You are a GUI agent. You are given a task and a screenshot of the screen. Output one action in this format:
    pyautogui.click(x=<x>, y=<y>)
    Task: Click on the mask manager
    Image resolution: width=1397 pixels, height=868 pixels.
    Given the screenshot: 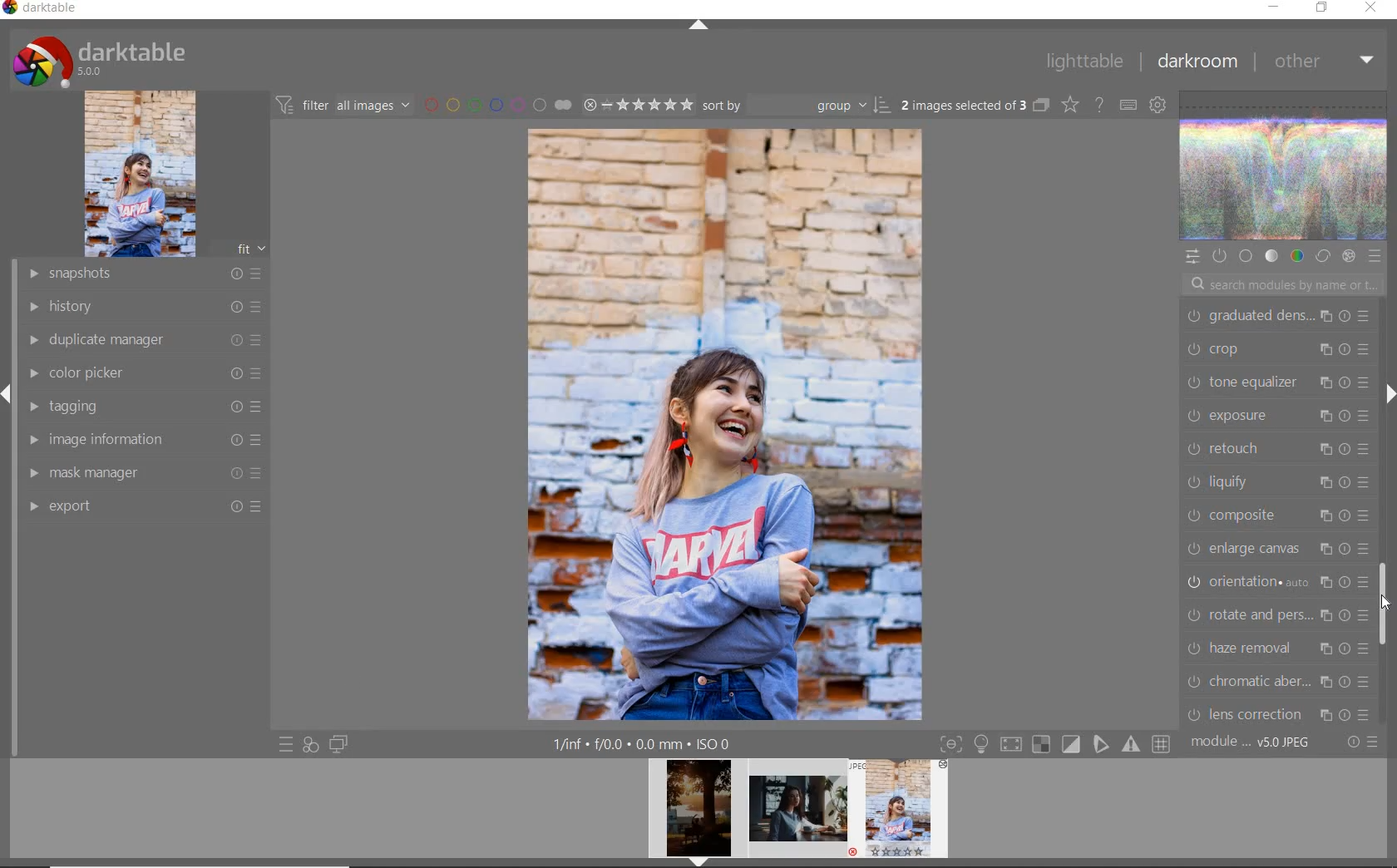 What is the action you would take?
    pyautogui.click(x=144, y=471)
    